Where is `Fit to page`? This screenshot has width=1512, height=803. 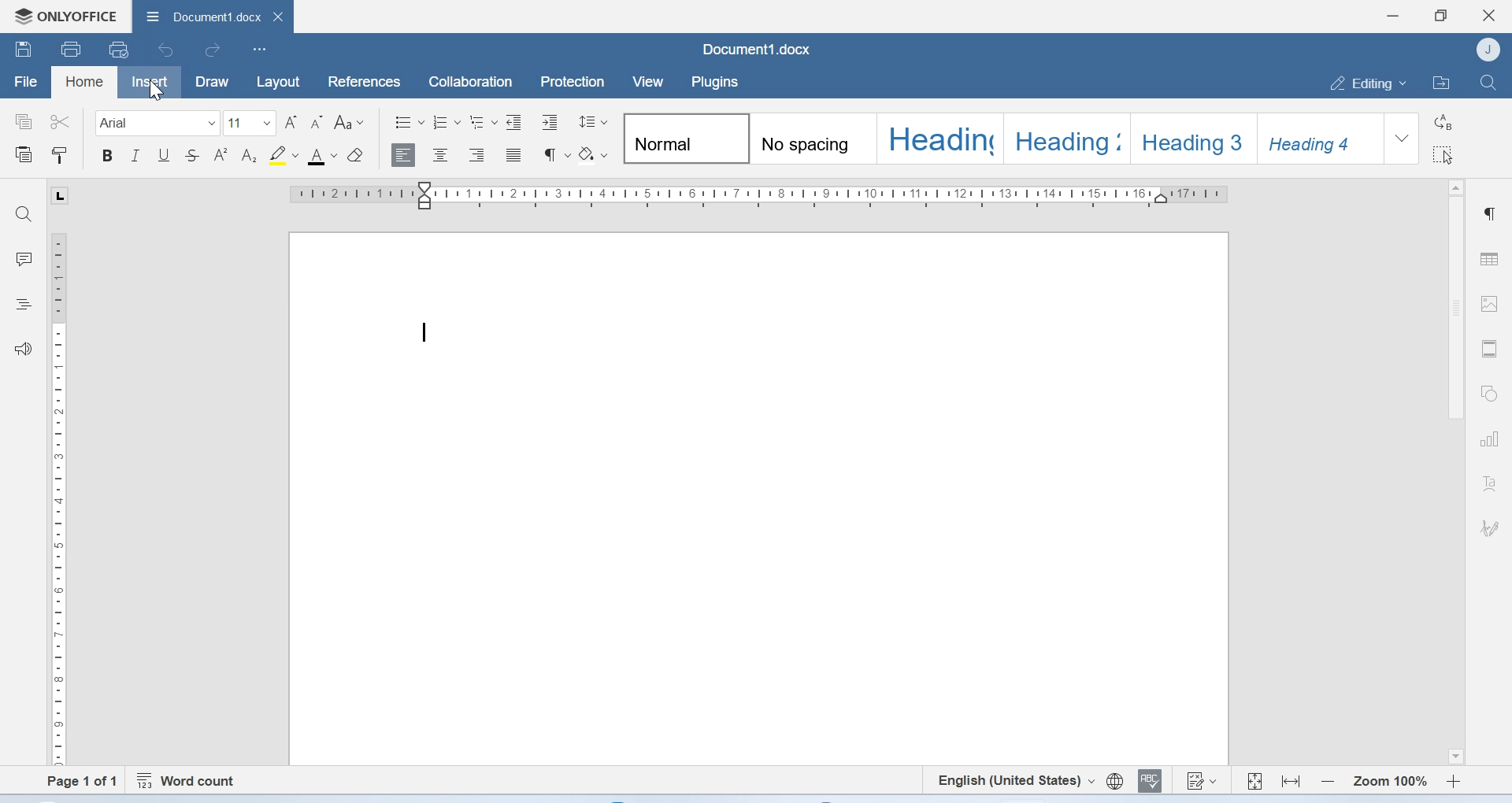
Fit to page is located at coordinates (1254, 779).